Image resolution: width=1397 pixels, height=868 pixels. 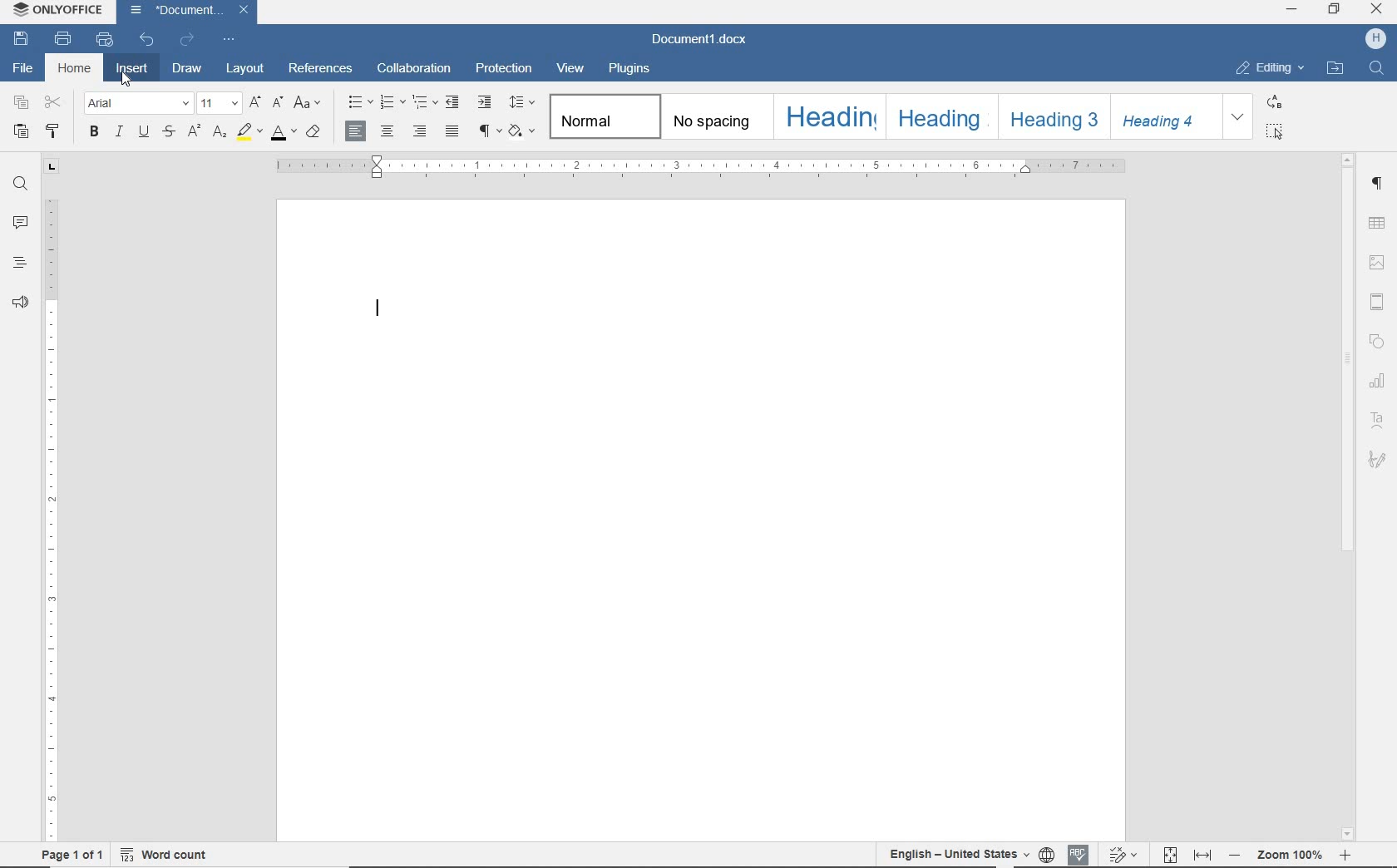 What do you see at coordinates (452, 131) in the screenshot?
I see `justified` at bounding box center [452, 131].